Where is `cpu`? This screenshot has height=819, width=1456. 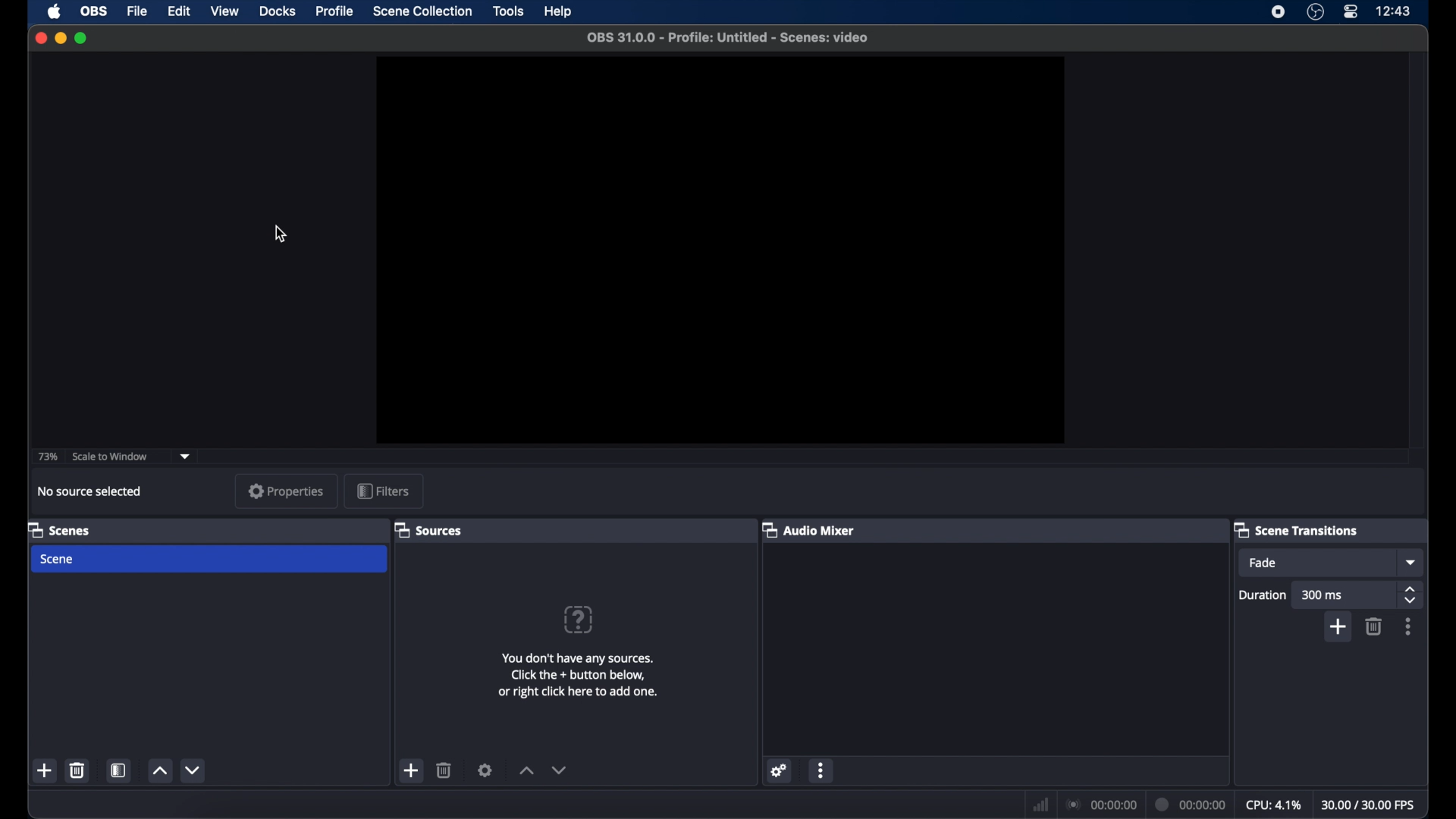
cpu is located at coordinates (1273, 803).